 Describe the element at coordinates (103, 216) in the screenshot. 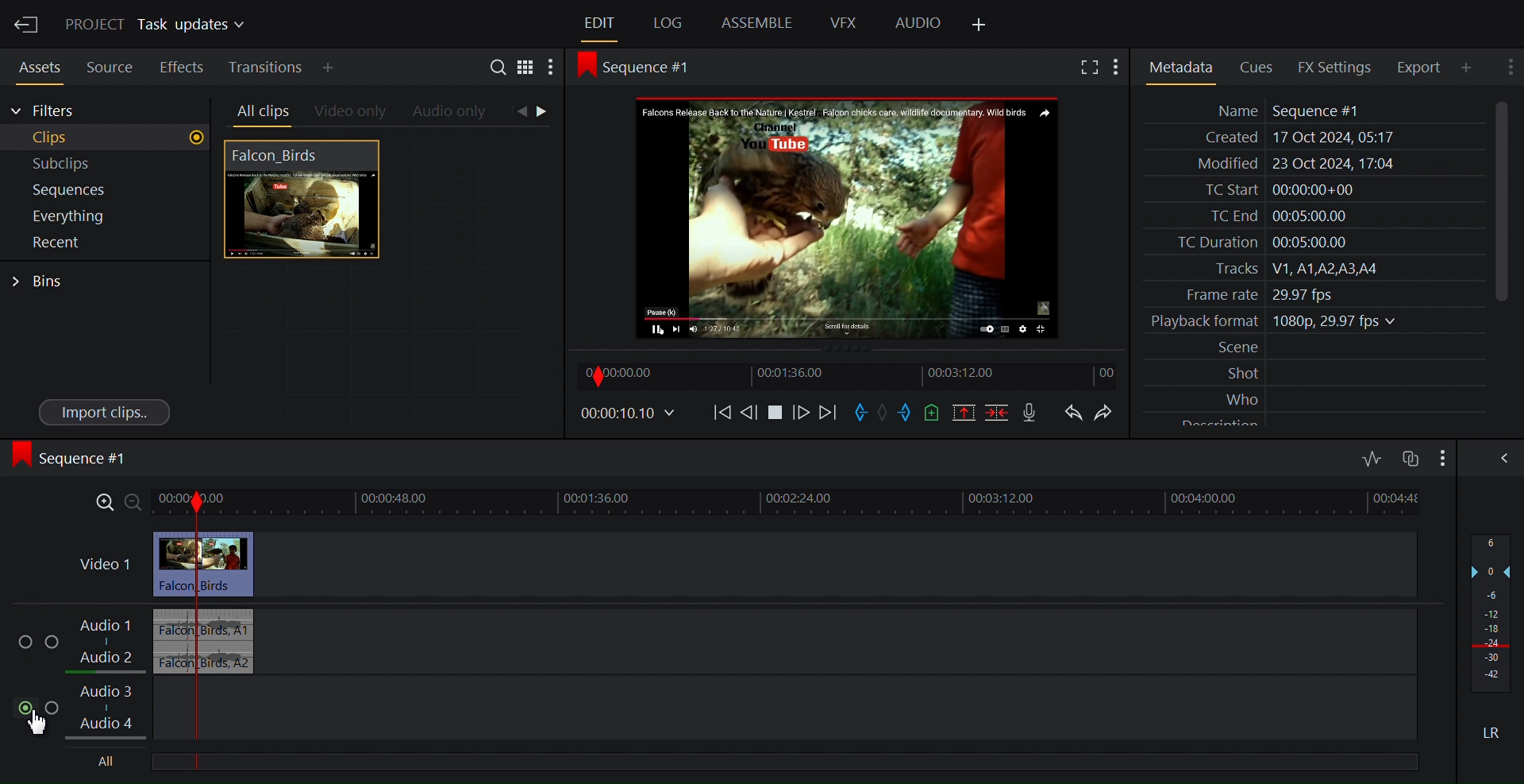

I see `Show everything in the current project` at that location.